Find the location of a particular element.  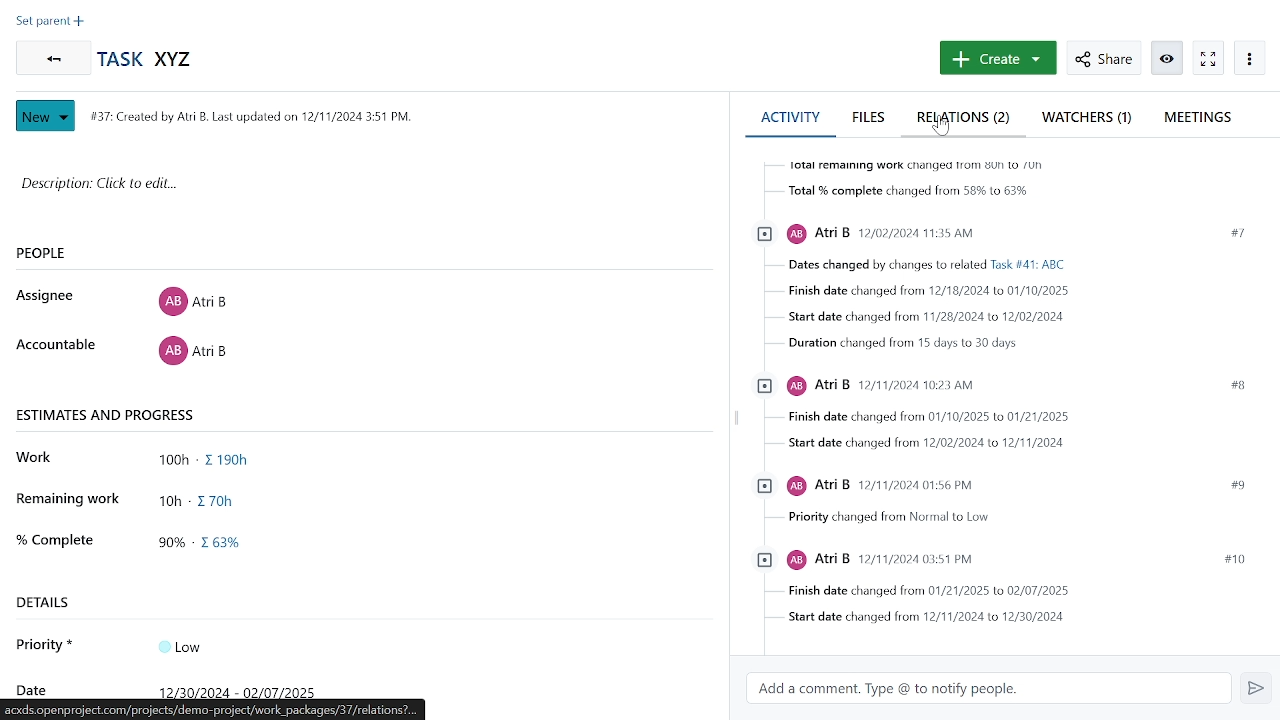

assignee is located at coordinates (50, 296).